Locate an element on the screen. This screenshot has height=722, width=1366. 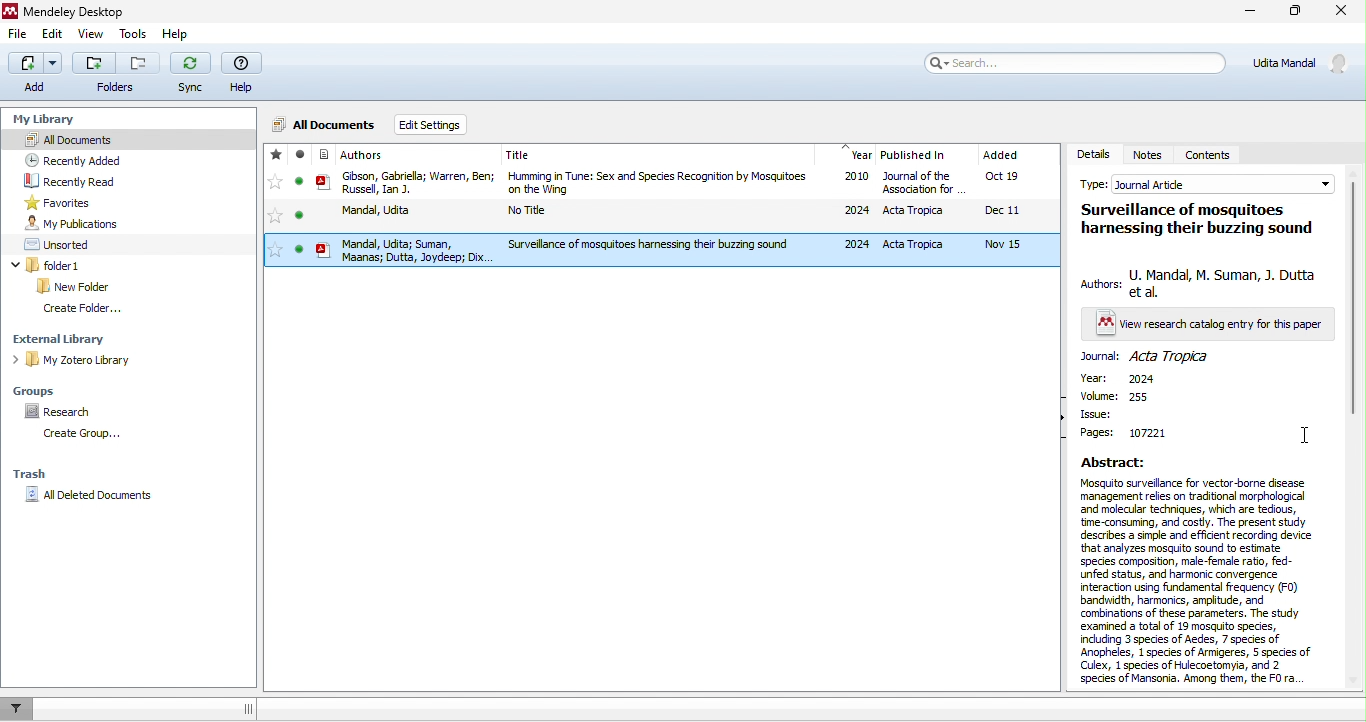
maximize is located at coordinates (1297, 11).